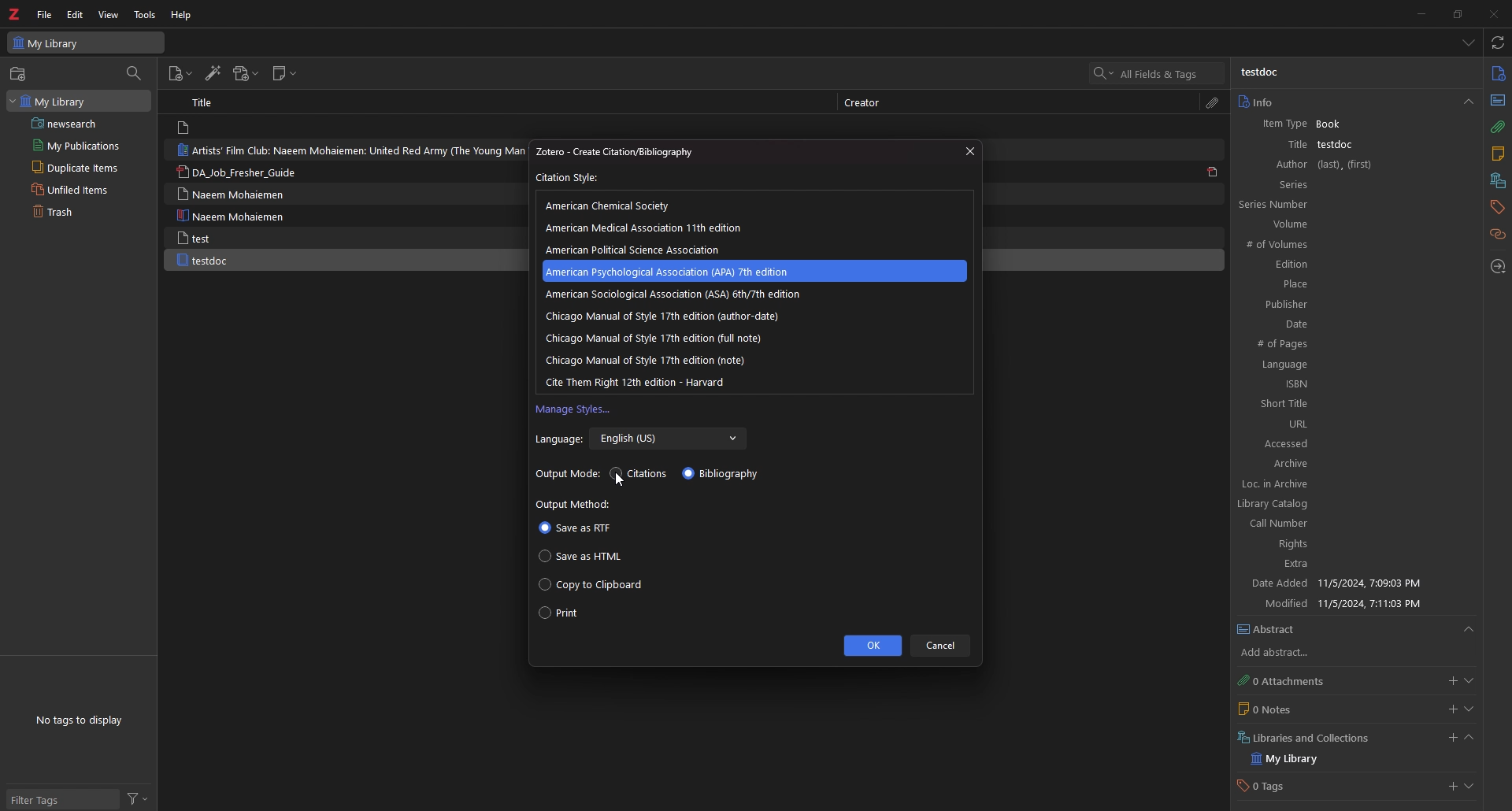  Describe the element at coordinates (1469, 709) in the screenshot. I see `show` at that location.